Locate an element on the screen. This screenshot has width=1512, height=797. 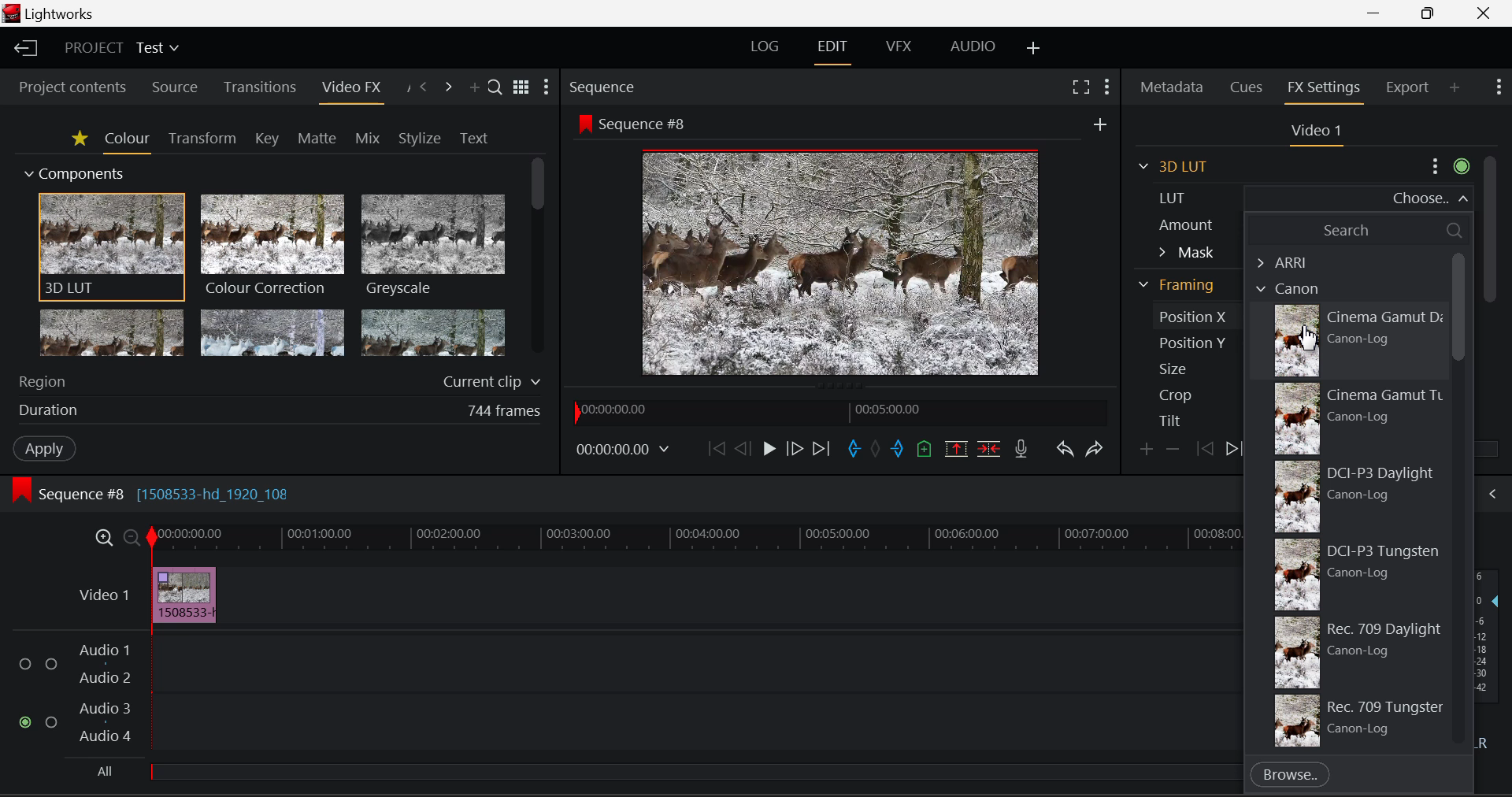
Tilt is located at coordinates (1175, 421).